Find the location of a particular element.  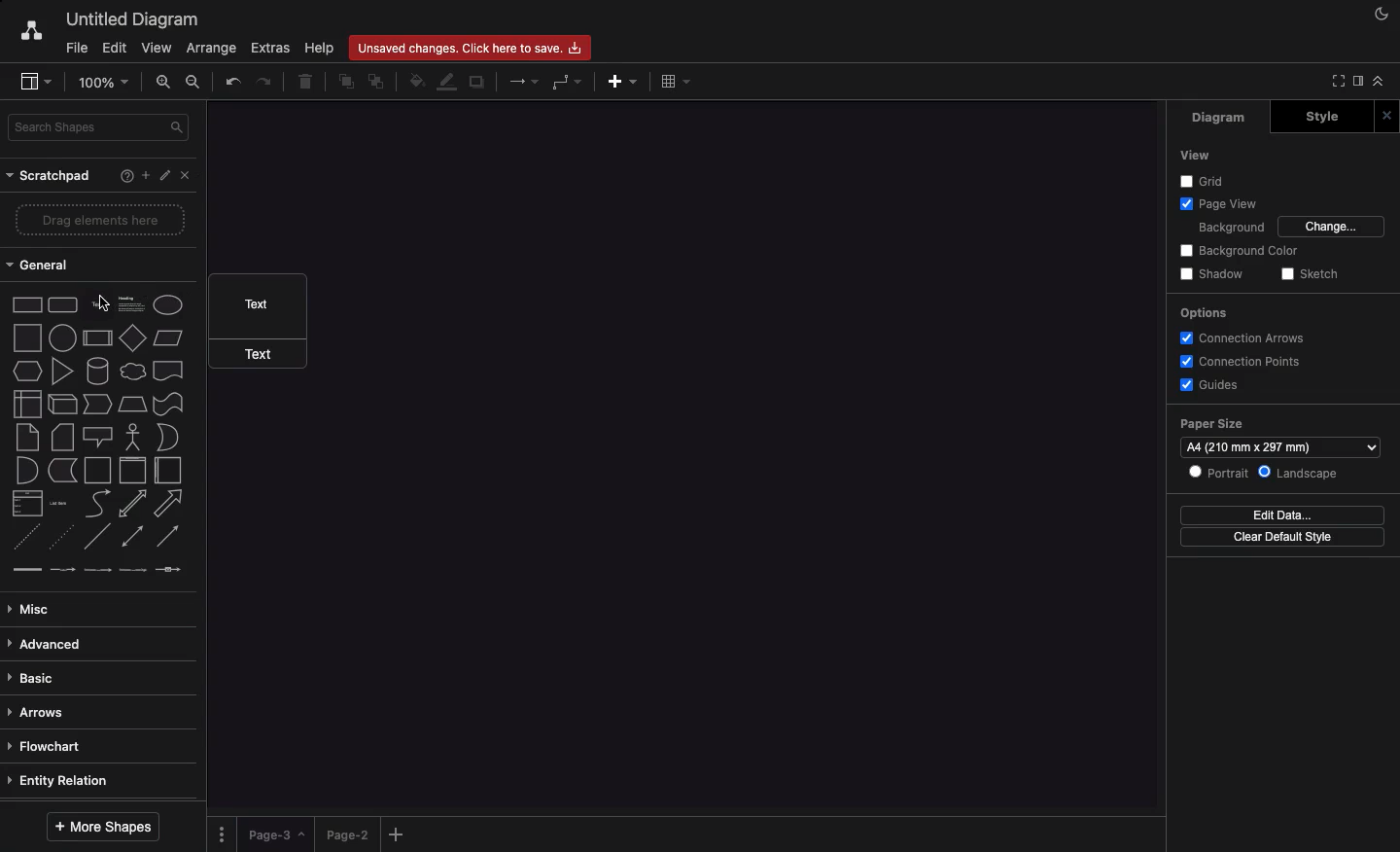

Zoom out is located at coordinates (197, 84).